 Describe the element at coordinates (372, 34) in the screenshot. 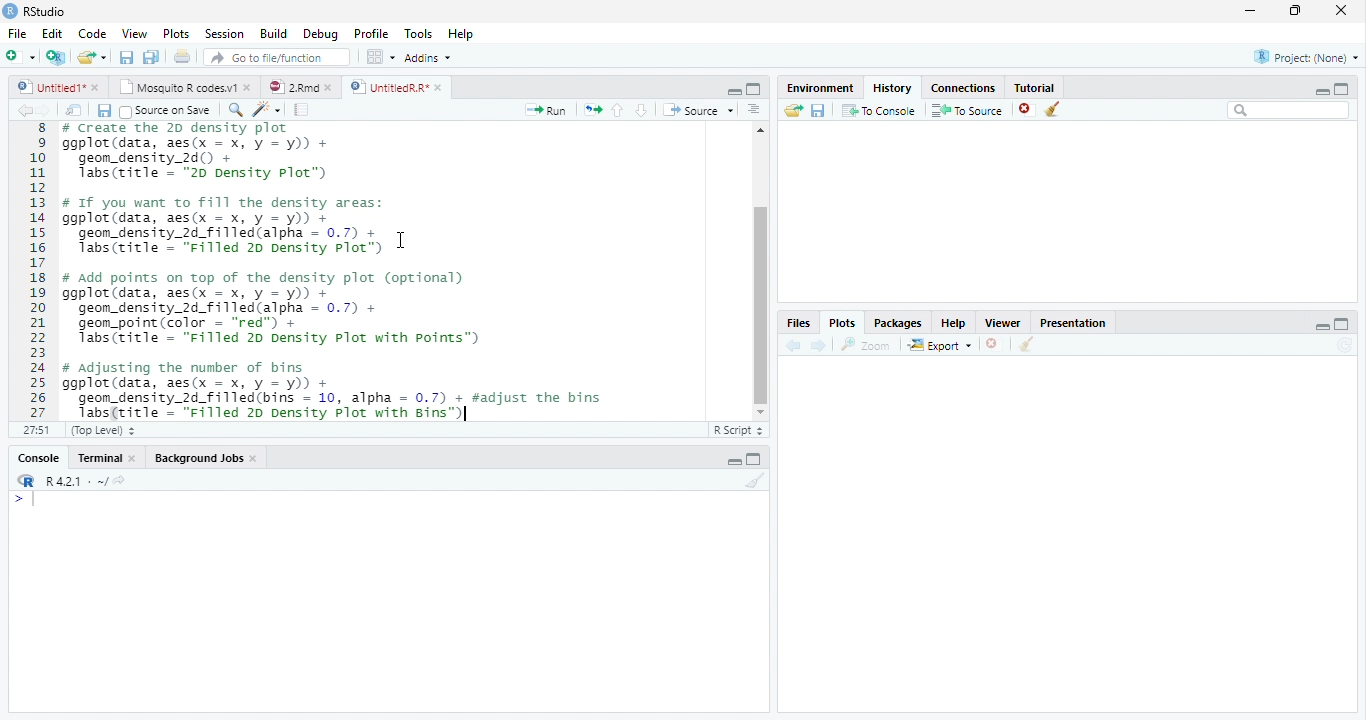

I see `Profile` at that location.